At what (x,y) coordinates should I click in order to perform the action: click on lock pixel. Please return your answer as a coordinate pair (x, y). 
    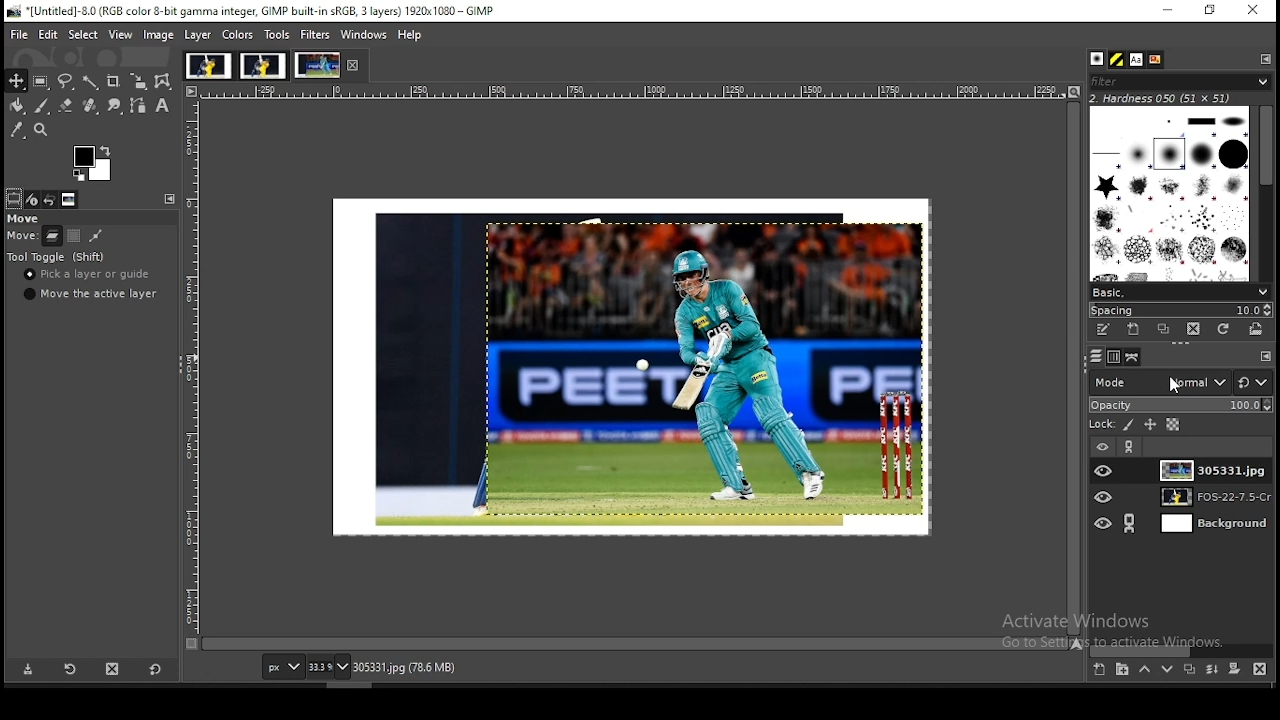
    Looking at the image, I should click on (1131, 425).